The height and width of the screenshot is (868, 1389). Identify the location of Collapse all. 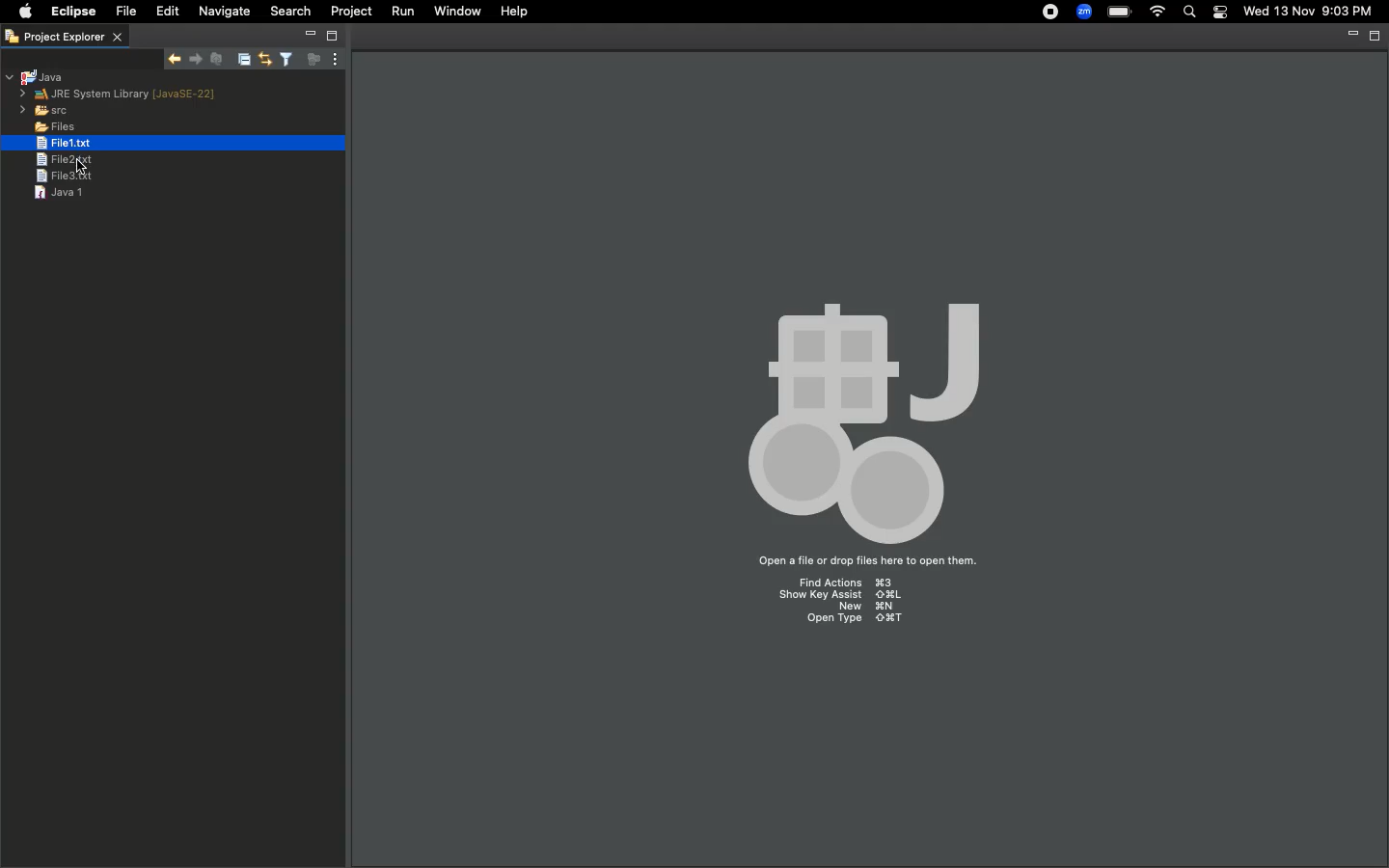
(241, 61).